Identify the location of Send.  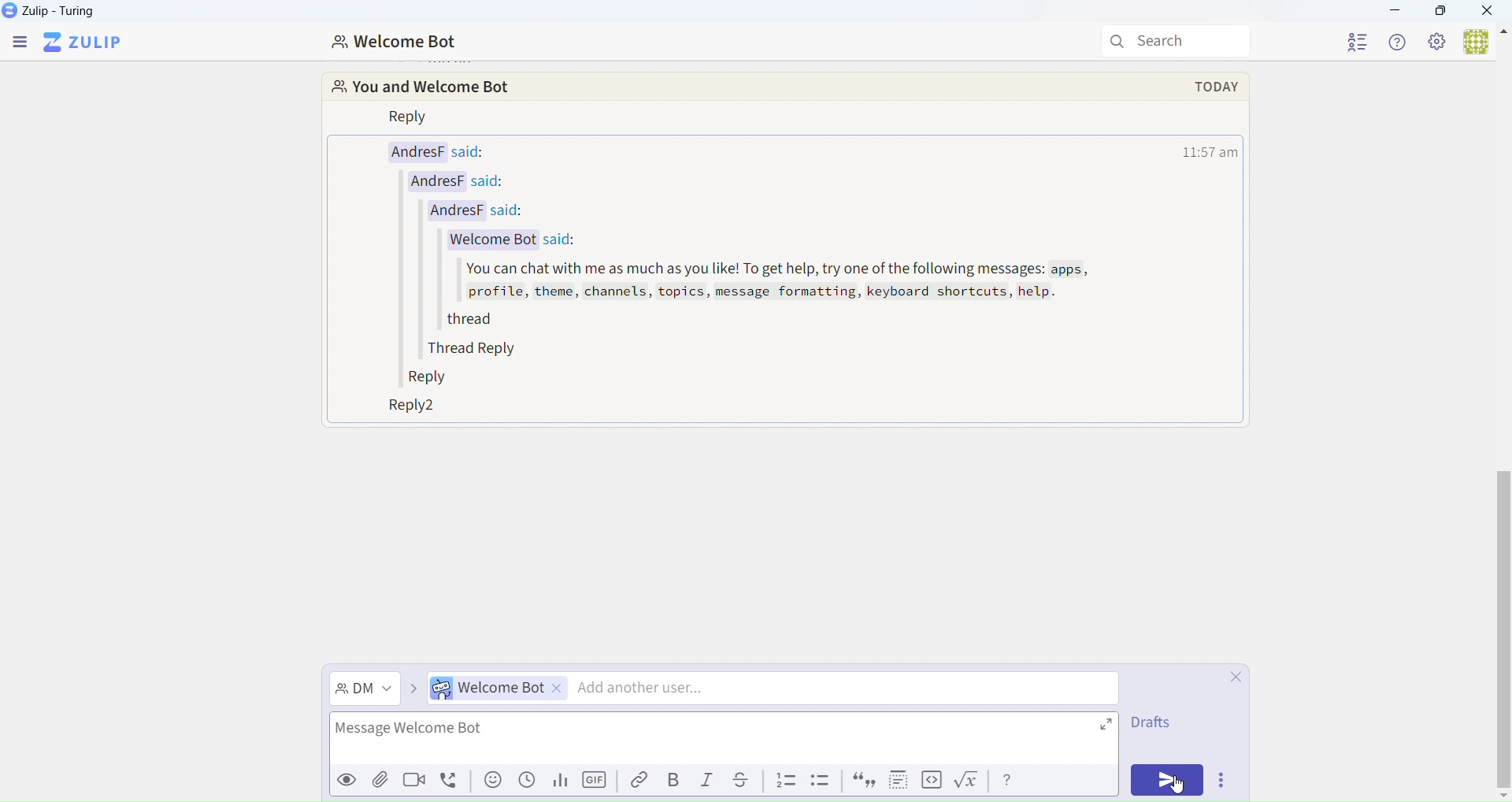
(1165, 782).